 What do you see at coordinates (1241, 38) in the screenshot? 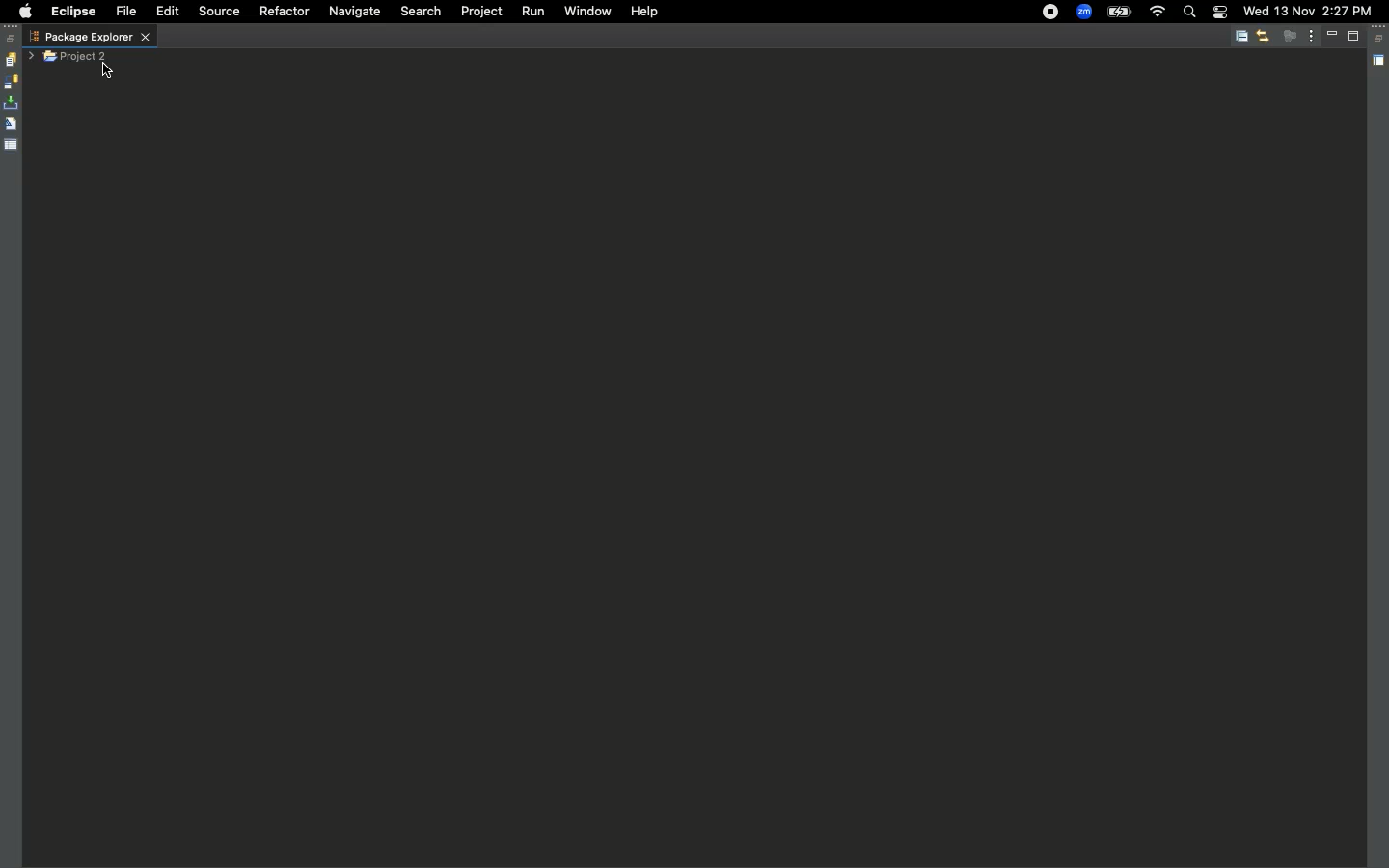
I see `Collapse all` at bounding box center [1241, 38].